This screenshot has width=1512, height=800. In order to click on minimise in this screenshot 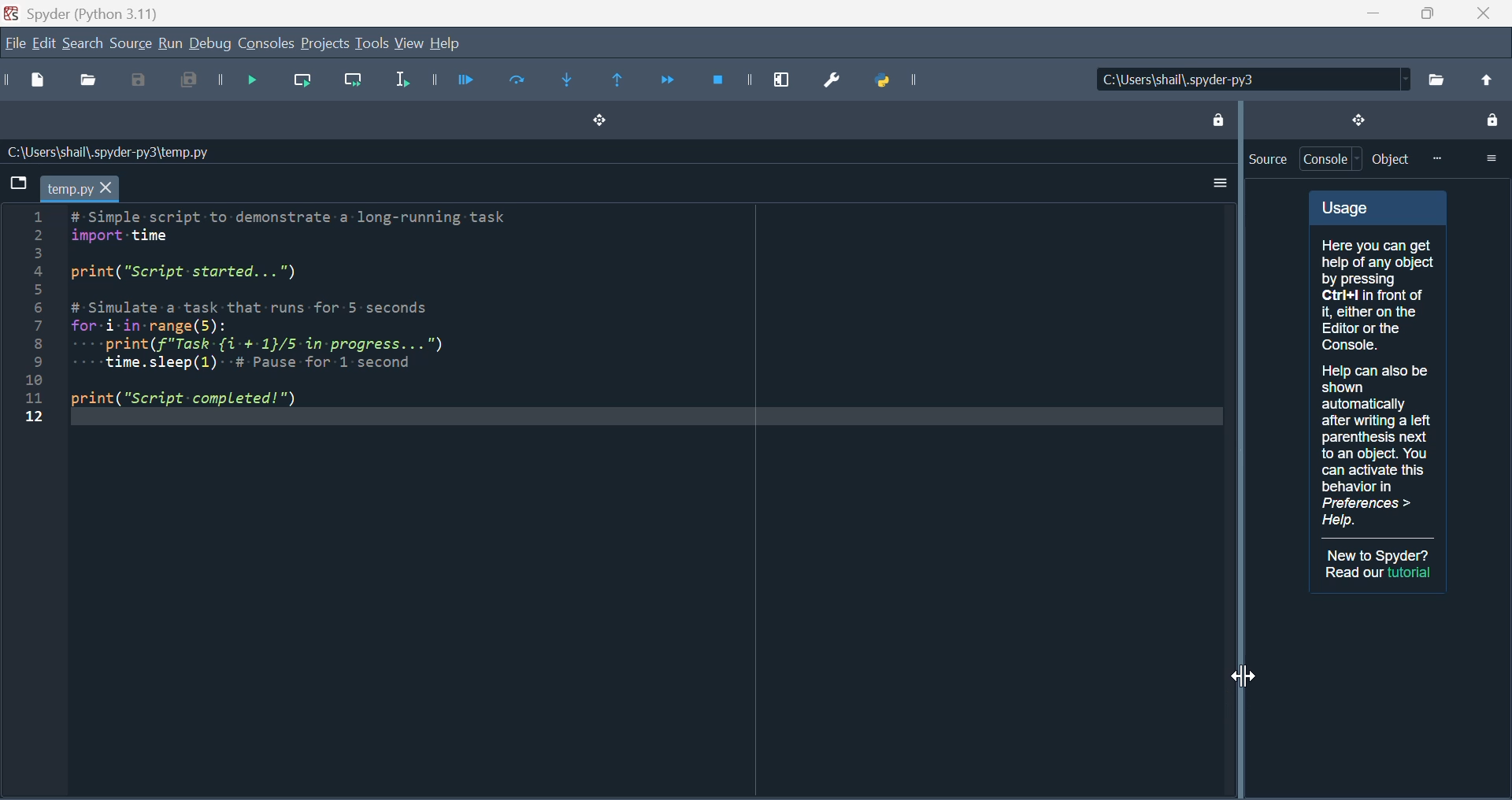, I will do `click(1366, 13)`.